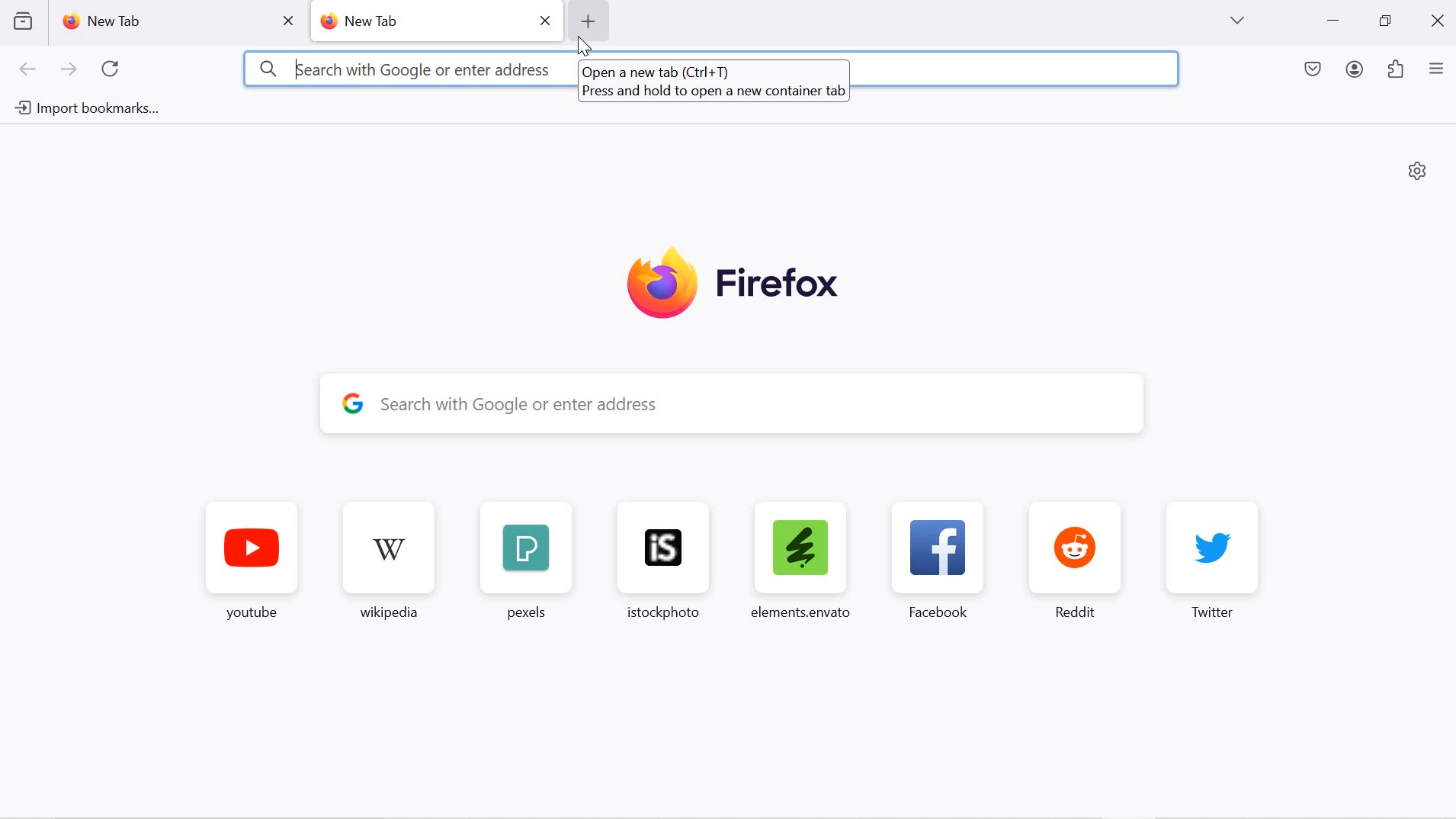  What do you see at coordinates (523, 562) in the screenshot?
I see `pexels favorite` at bounding box center [523, 562].